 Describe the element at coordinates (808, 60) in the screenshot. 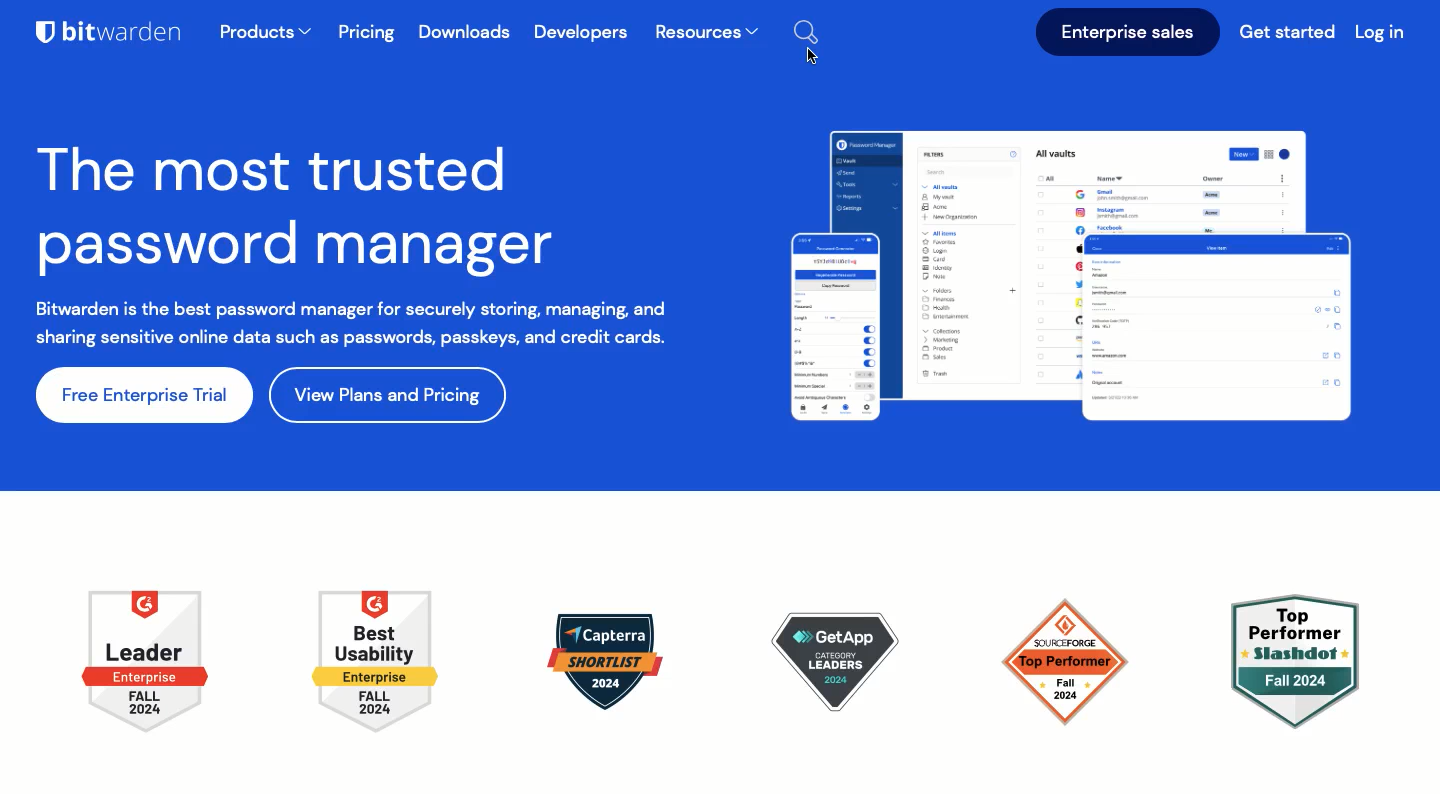

I see `Cursor` at that location.